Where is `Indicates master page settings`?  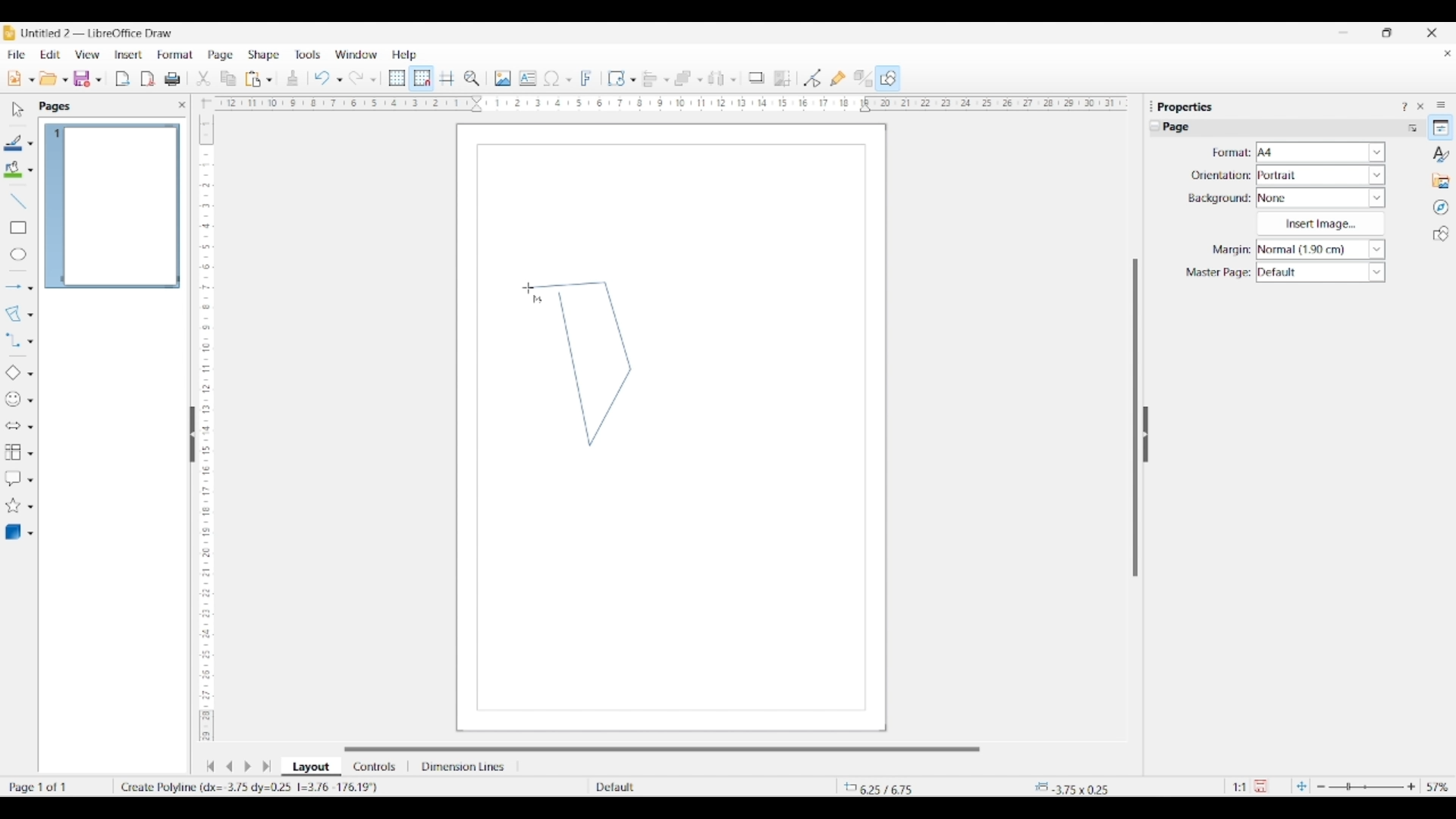
Indicates master page settings is located at coordinates (1217, 273).